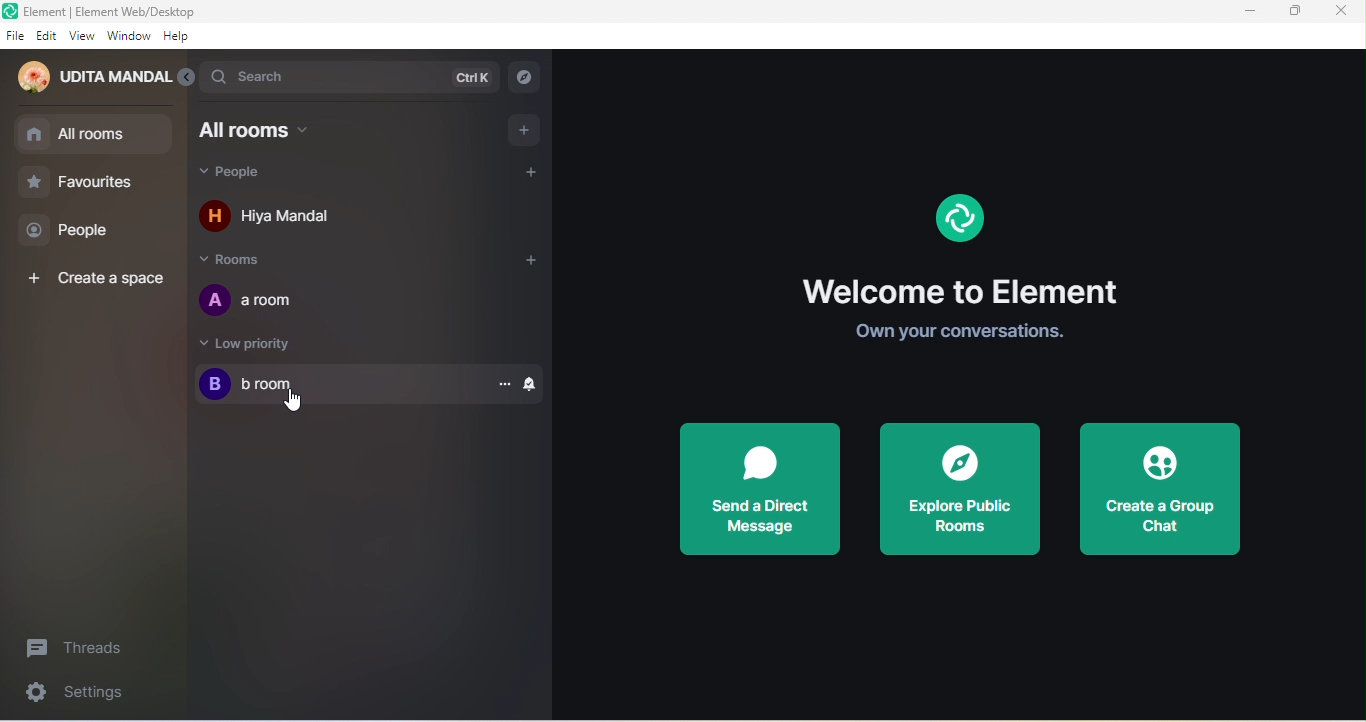  Describe the element at coordinates (1162, 484) in the screenshot. I see `create a group chat` at that location.